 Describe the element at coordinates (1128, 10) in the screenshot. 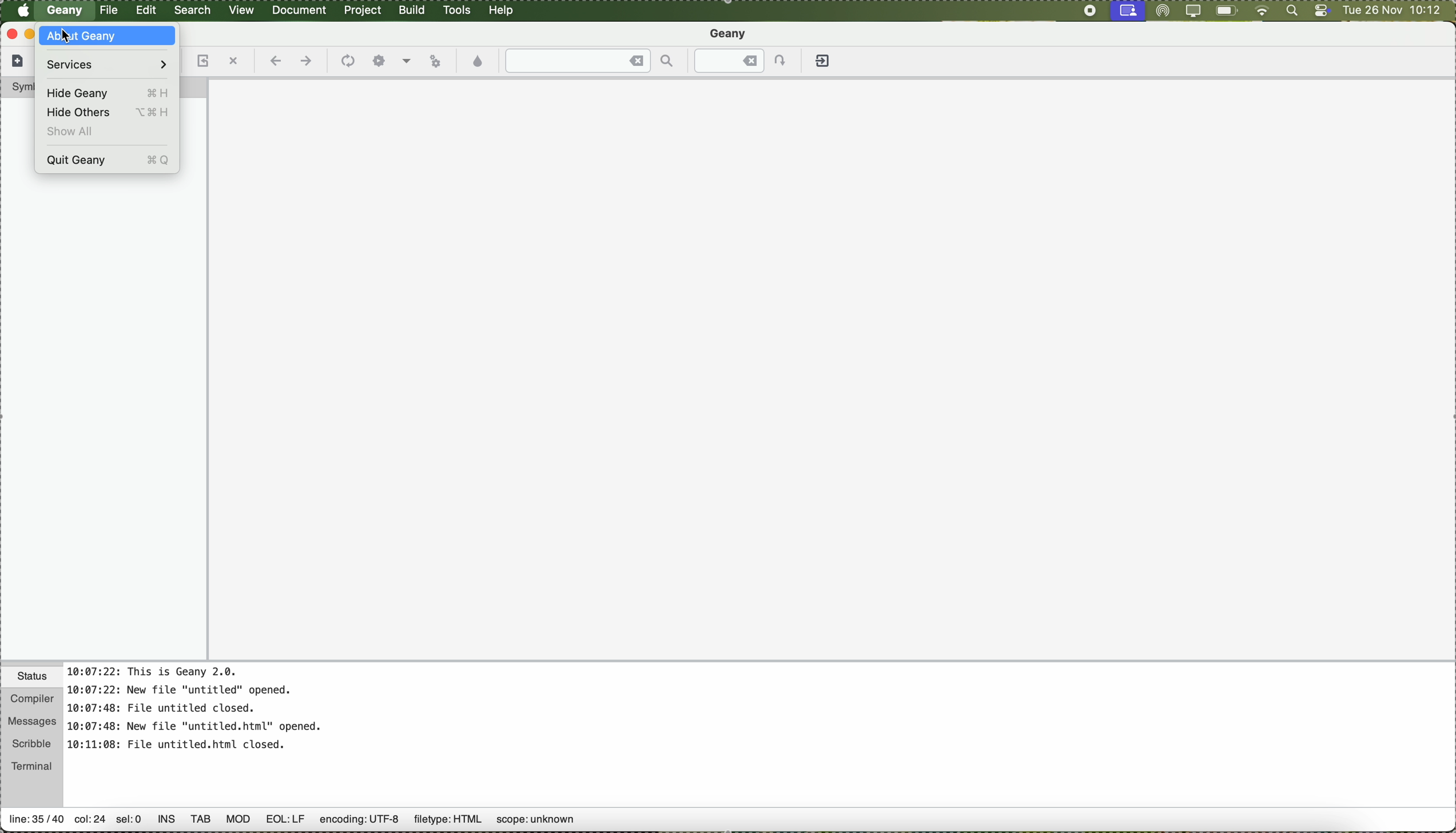

I see `screen` at that location.